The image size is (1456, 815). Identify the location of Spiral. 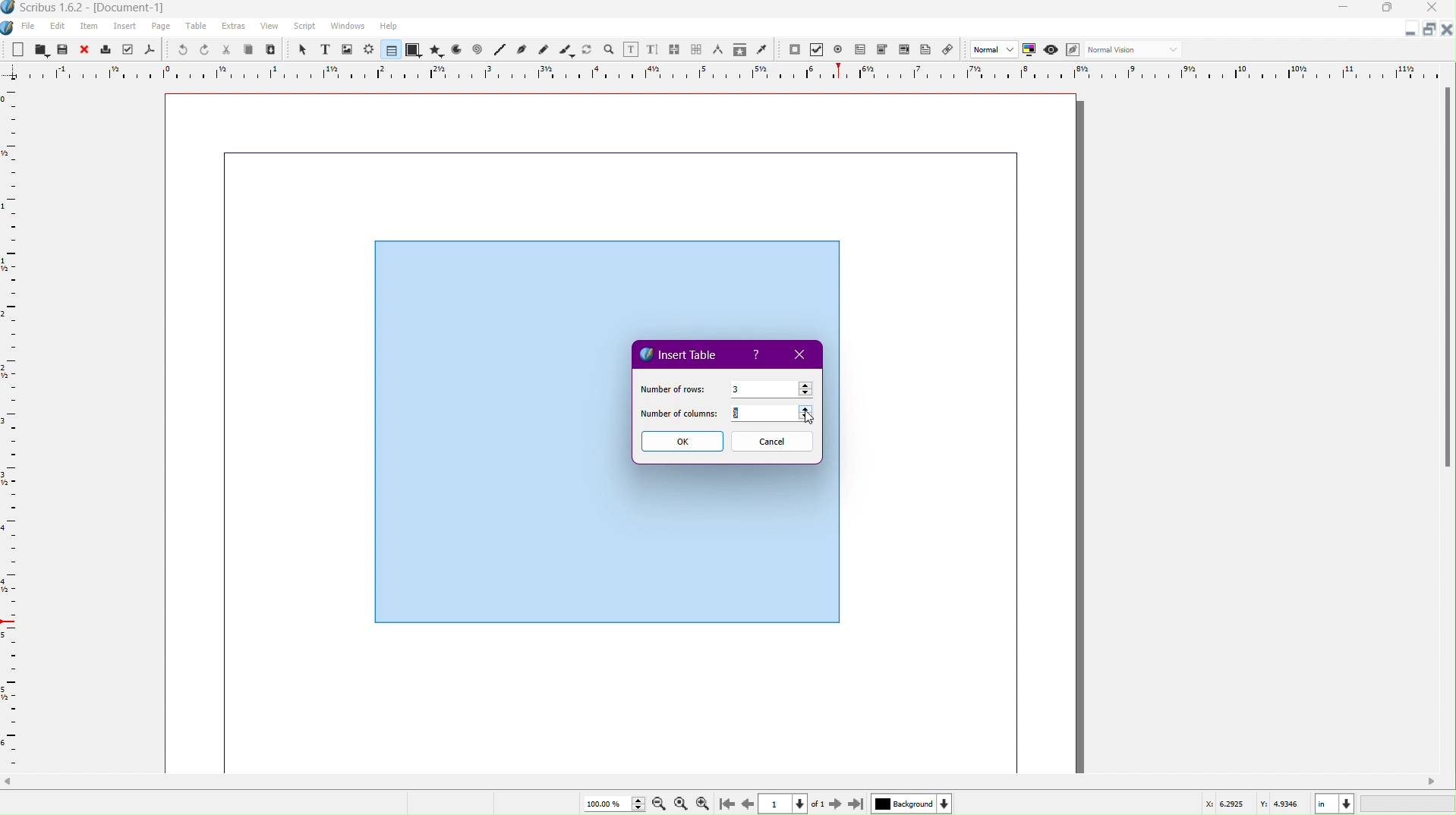
(478, 51).